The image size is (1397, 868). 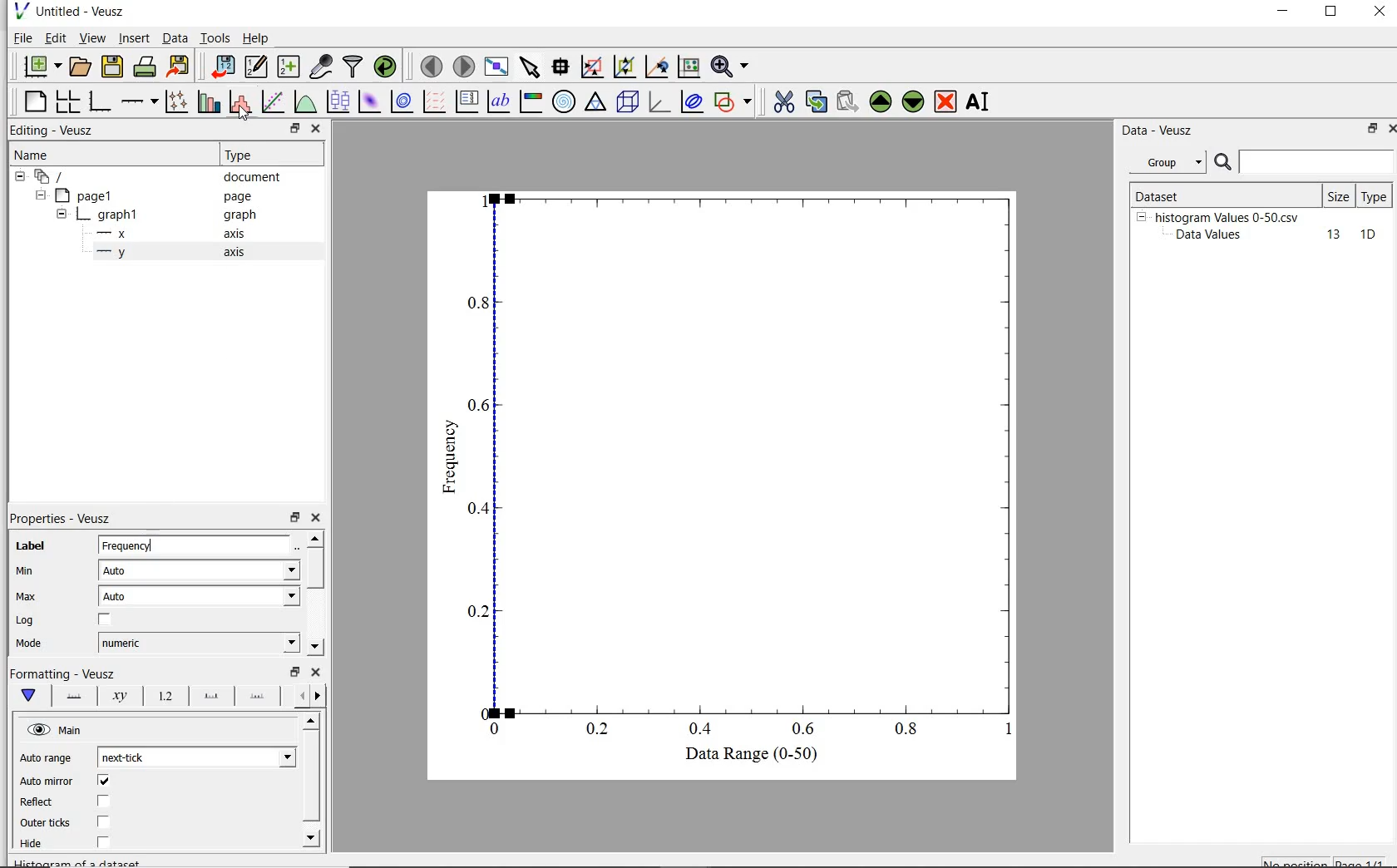 I want to click on tick label, so click(x=164, y=697).